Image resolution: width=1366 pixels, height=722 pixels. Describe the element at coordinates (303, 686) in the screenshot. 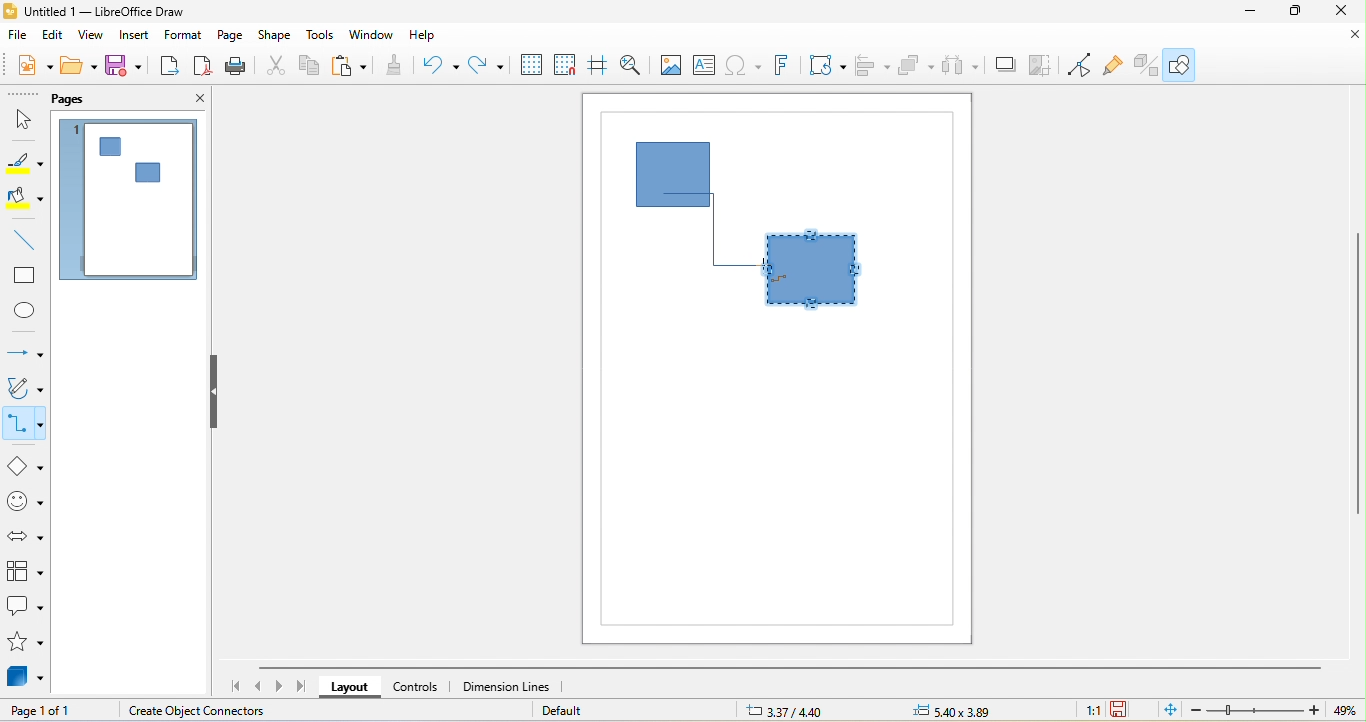

I see `scroll to last page` at that location.